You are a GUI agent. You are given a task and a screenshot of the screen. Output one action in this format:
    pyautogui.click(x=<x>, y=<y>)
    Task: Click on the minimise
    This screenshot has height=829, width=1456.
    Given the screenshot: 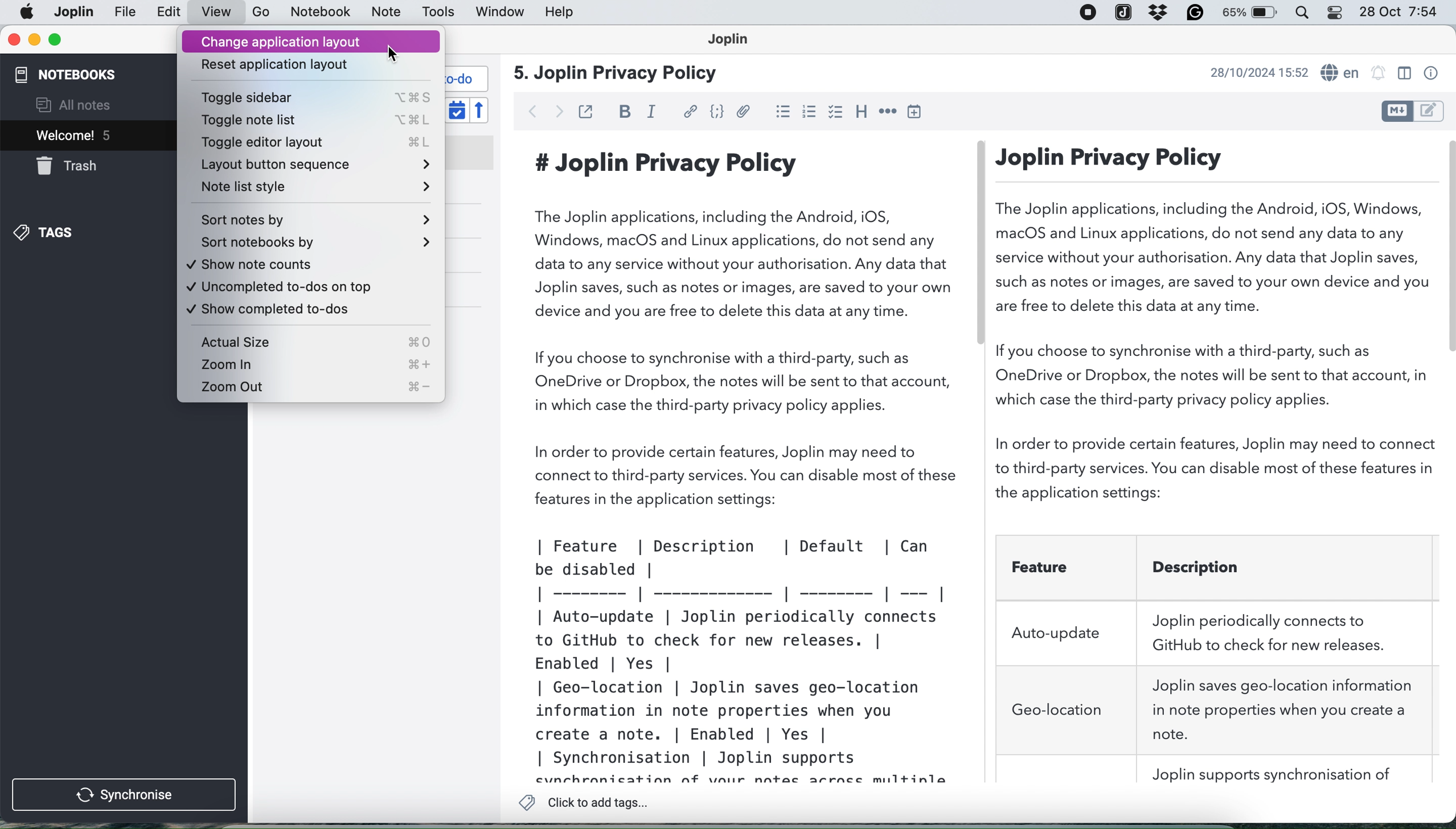 What is the action you would take?
    pyautogui.click(x=34, y=40)
    